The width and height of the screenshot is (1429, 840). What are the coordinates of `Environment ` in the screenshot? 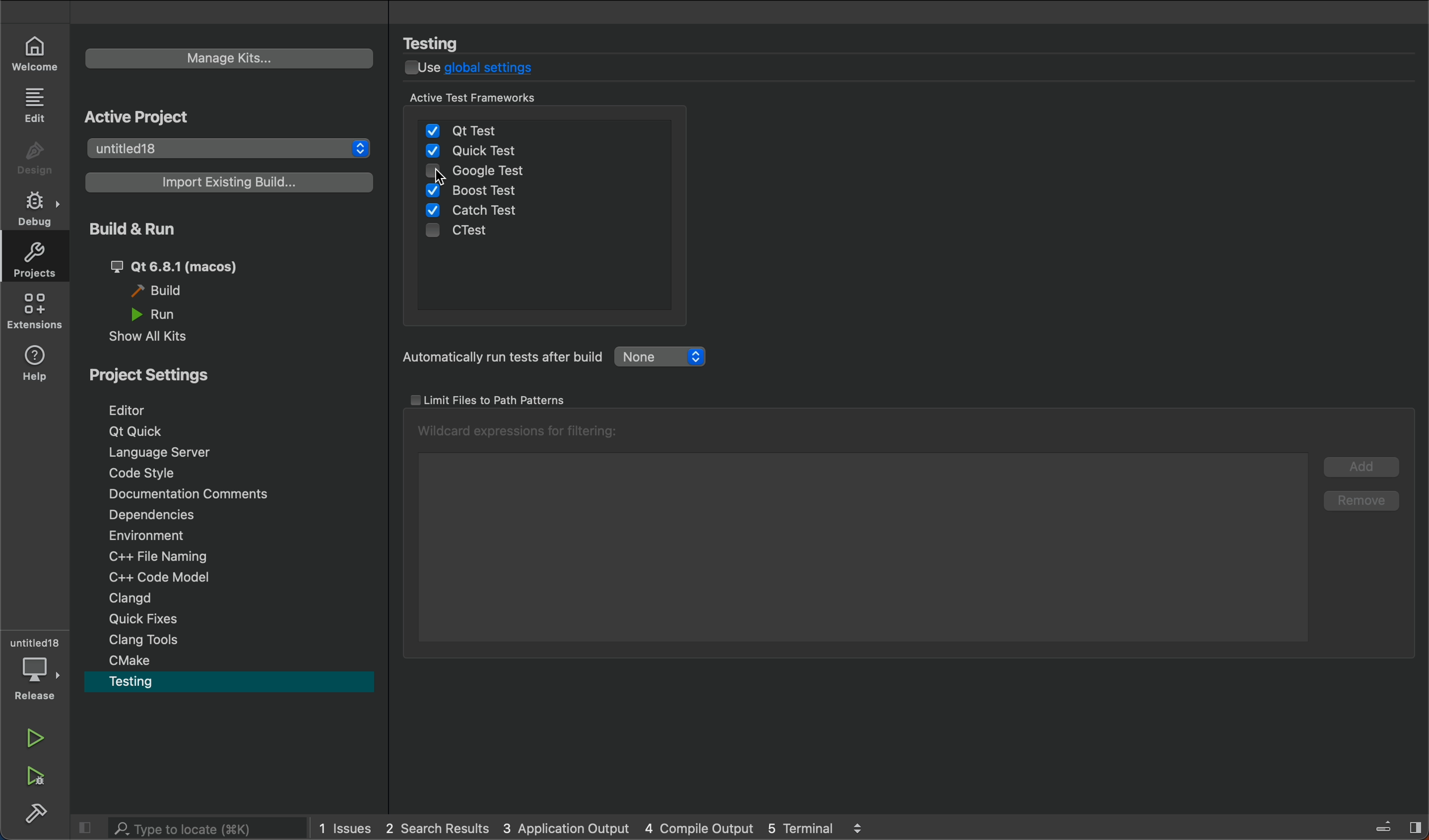 It's located at (233, 538).